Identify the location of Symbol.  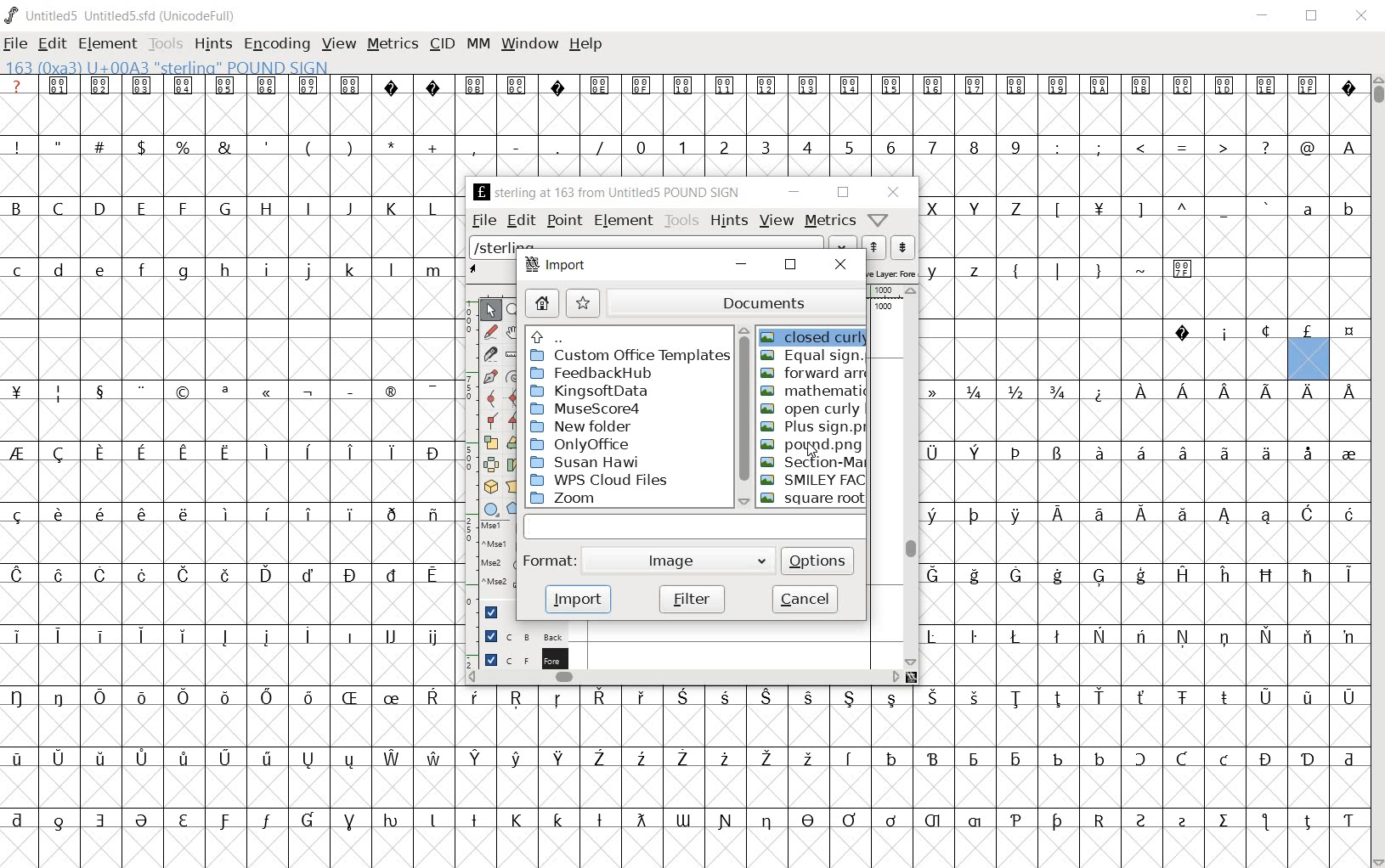
(892, 758).